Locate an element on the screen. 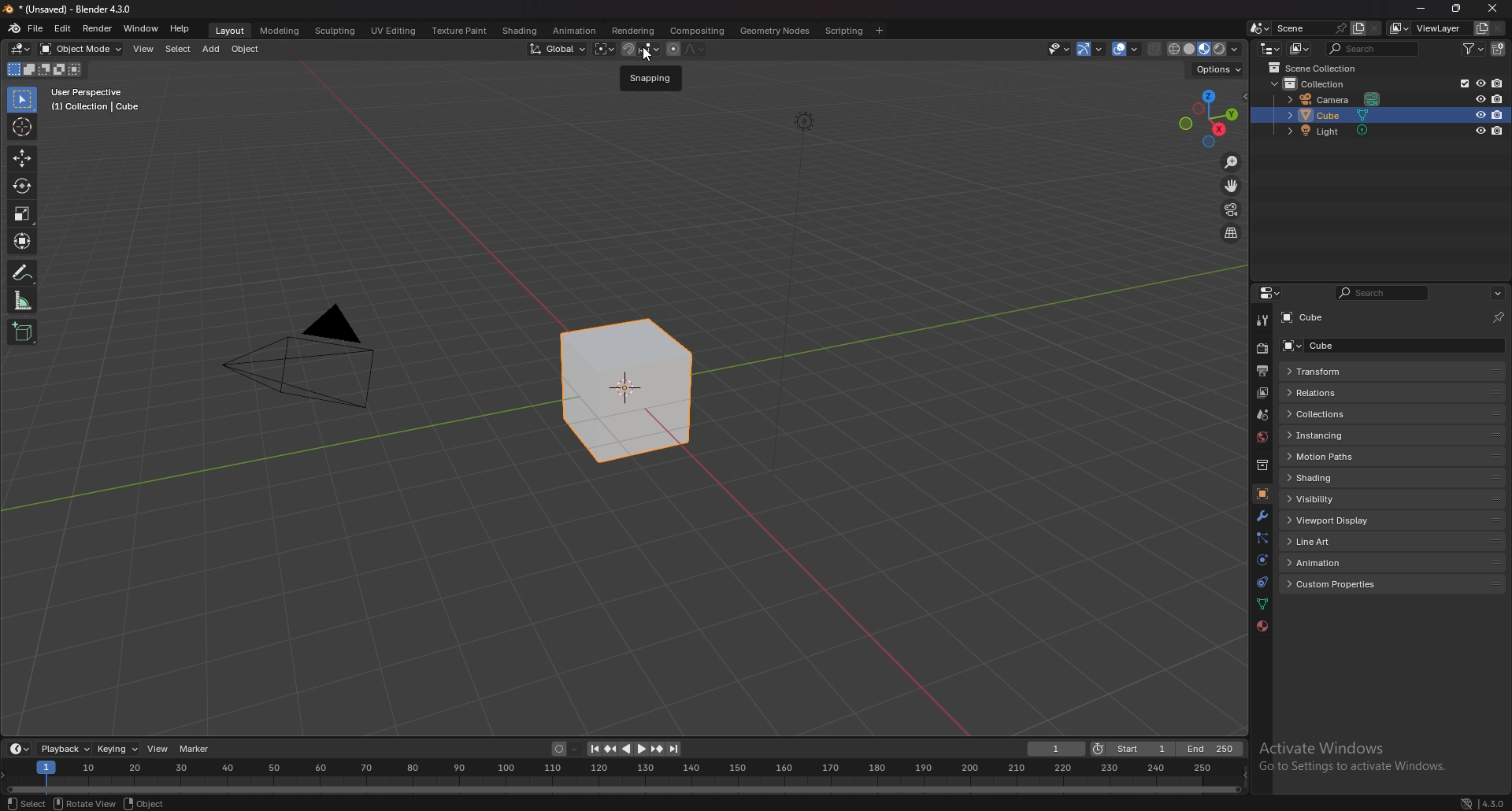 The width and height of the screenshot is (1512, 811). instancing is located at coordinates (1332, 435).